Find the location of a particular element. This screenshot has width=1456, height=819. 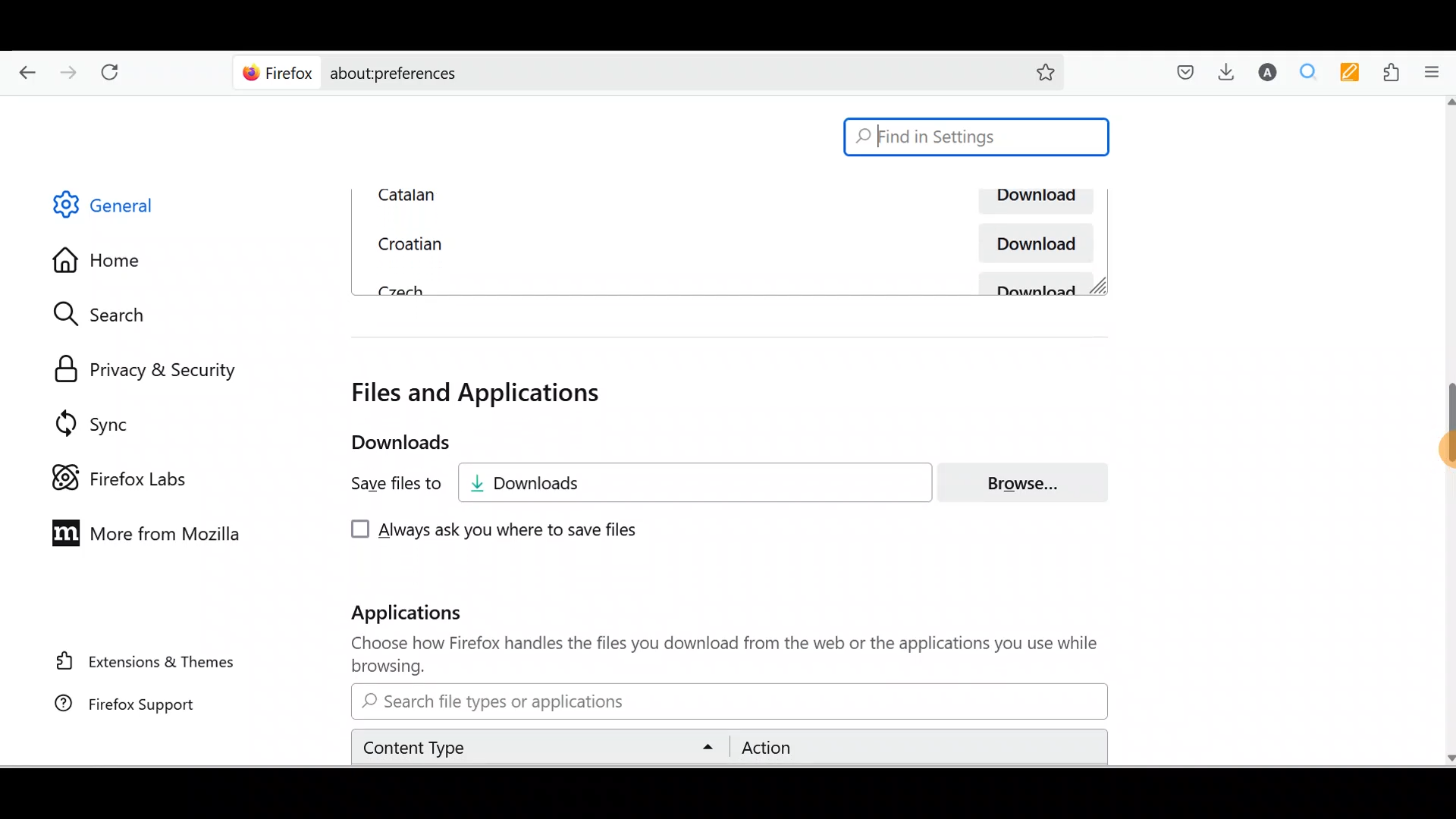

Open application menu is located at coordinates (1436, 72).